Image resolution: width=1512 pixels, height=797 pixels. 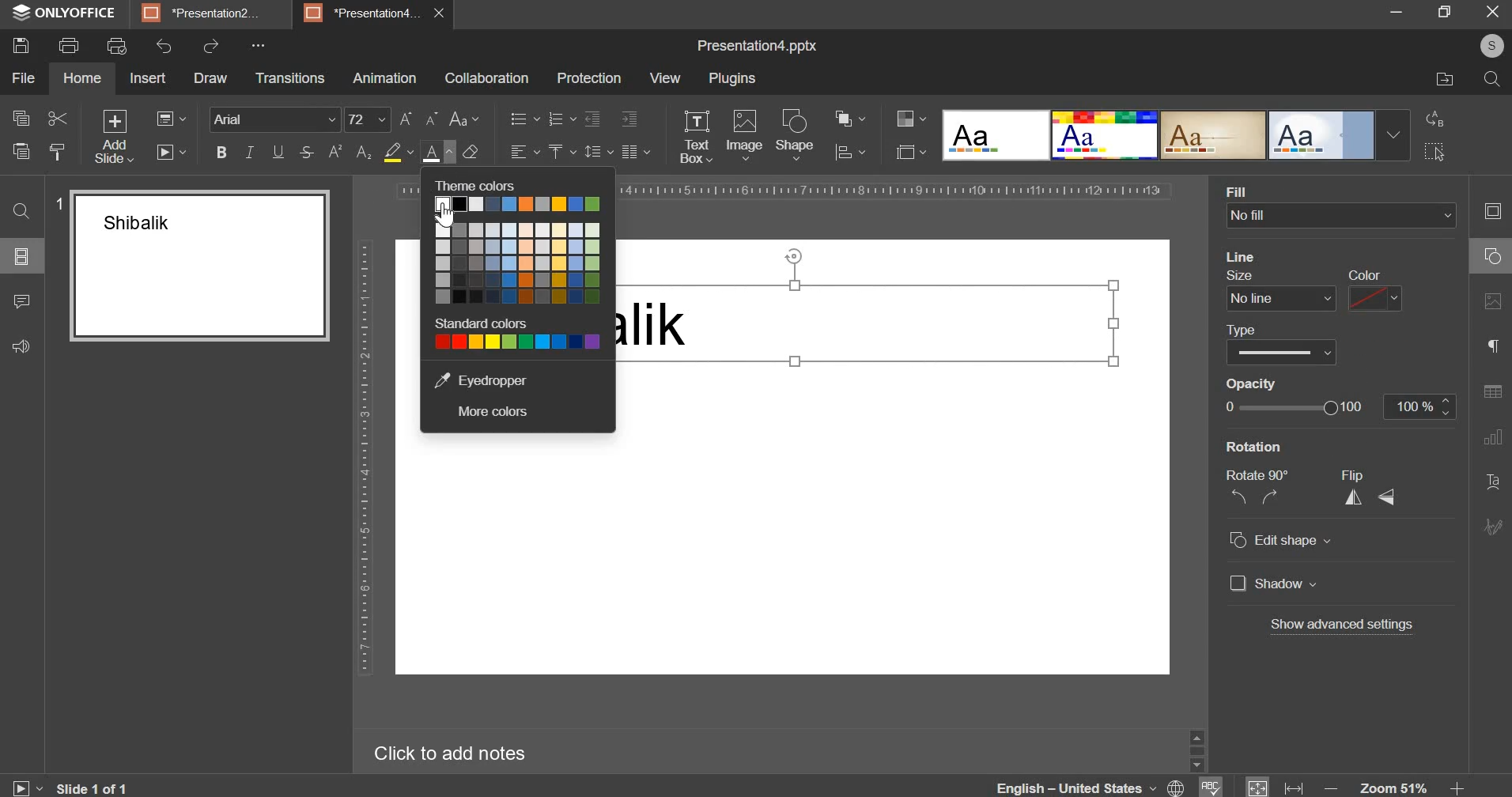 What do you see at coordinates (1488, 347) in the screenshot?
I see `paragraph` at bounding box center [1488, 347].